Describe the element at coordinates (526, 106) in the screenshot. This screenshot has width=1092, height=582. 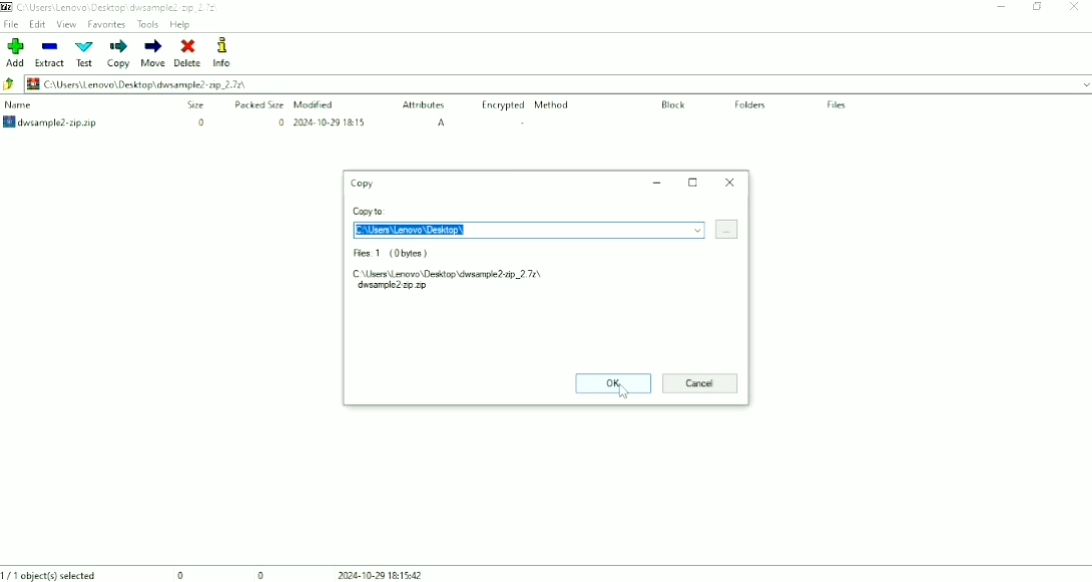
I see `Encrypted Method` at that location.